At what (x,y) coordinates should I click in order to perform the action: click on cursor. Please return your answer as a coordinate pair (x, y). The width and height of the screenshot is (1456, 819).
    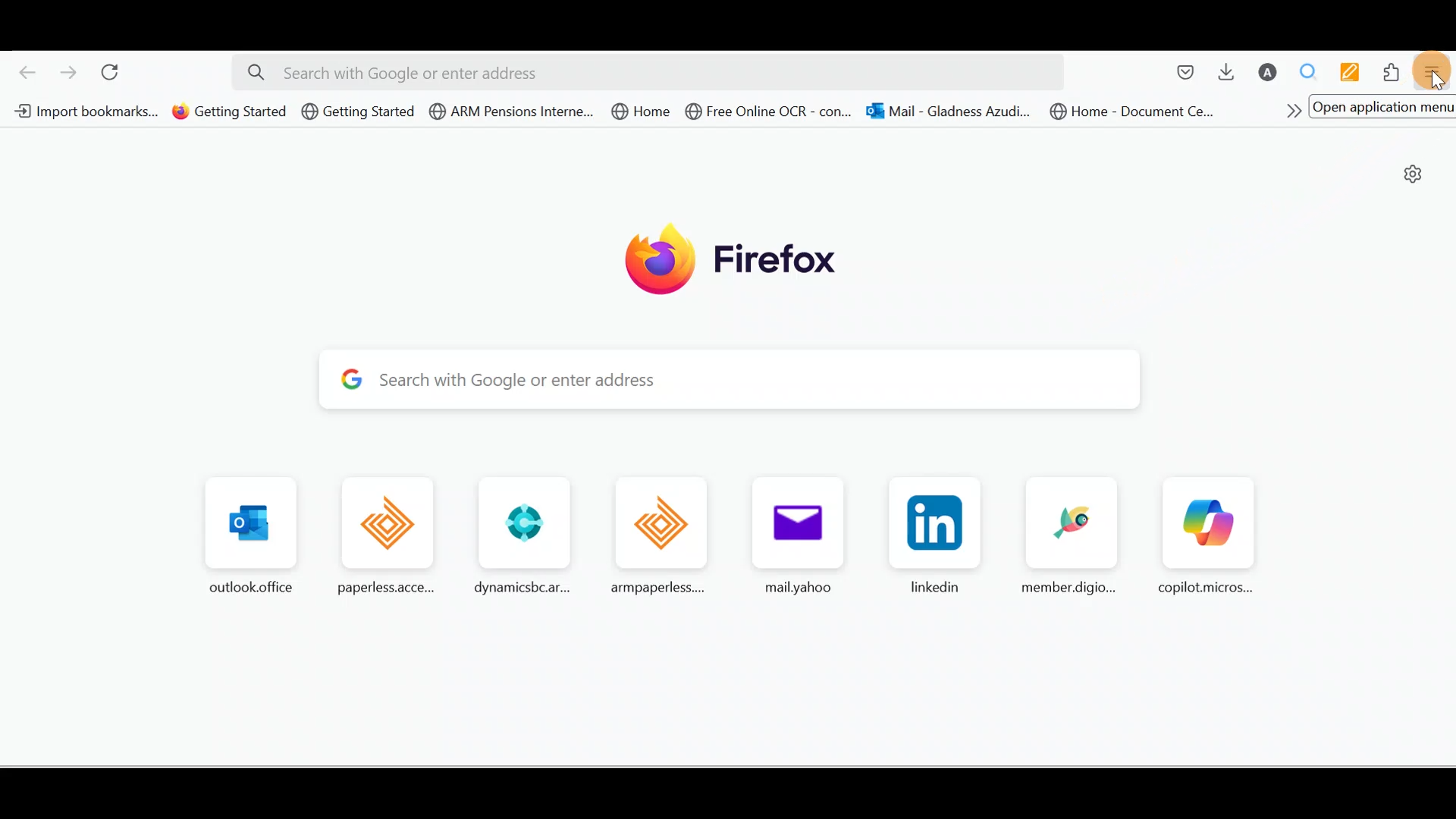
    Looking at the image, I should click on (1439, 81).